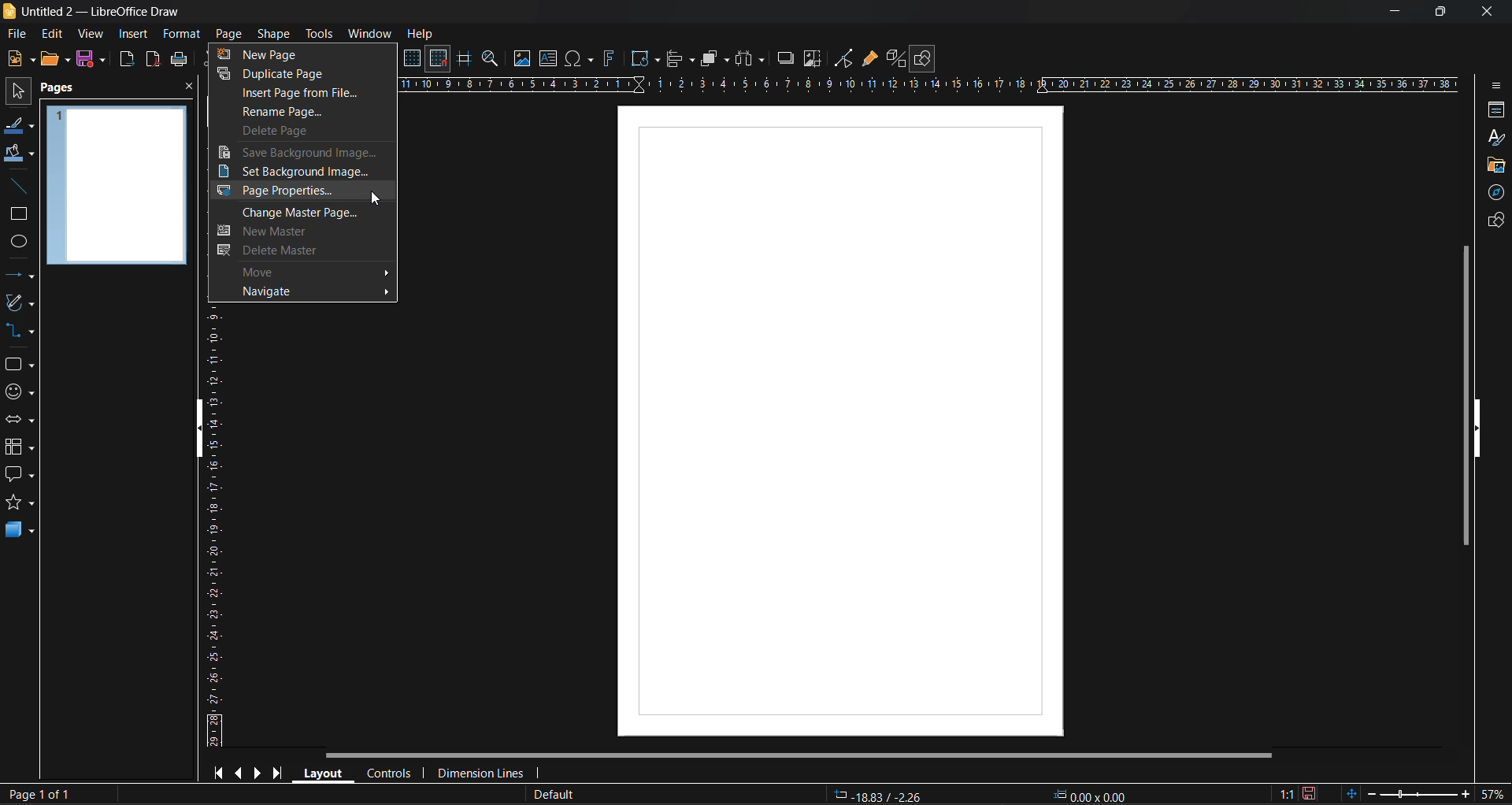  What do you see at coordinates (180, 60) in the screenshot?
I see `print` at bounding box center [180, 60].